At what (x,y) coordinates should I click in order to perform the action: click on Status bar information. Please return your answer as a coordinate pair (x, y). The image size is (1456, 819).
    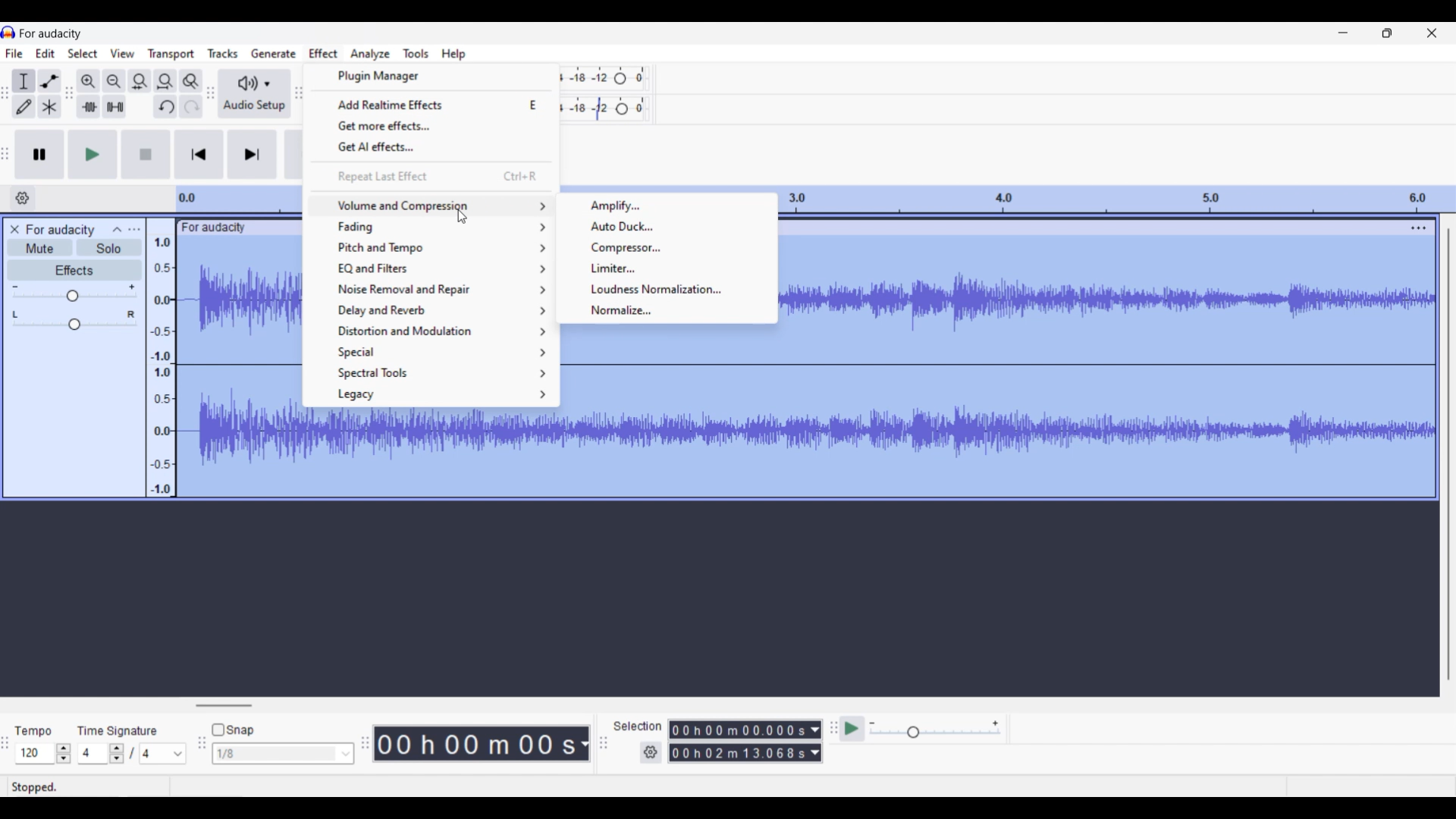
    Looking at the image, I should click on (187, 787).